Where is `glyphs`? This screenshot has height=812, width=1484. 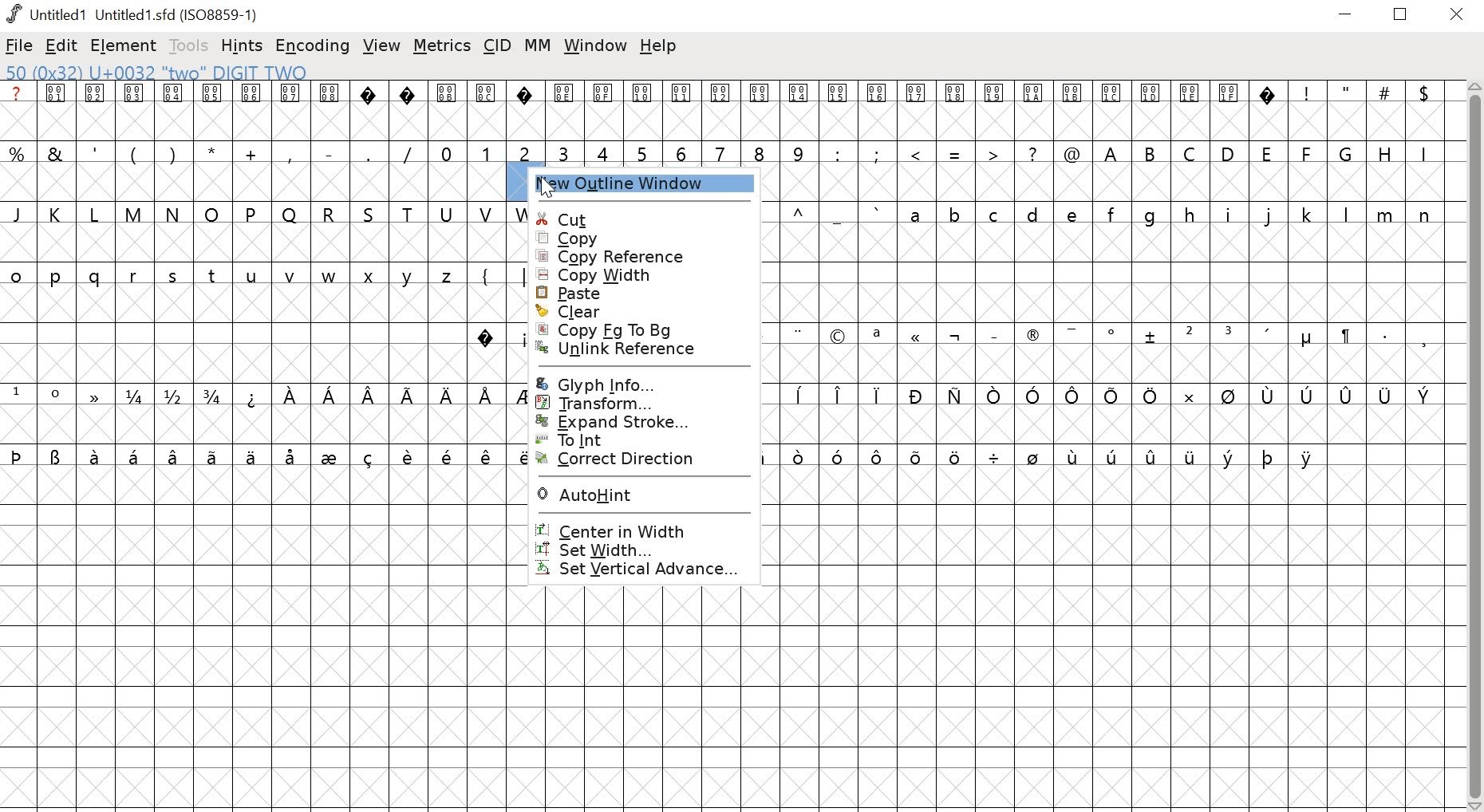 glyphs is located at coordinates (262, 279).